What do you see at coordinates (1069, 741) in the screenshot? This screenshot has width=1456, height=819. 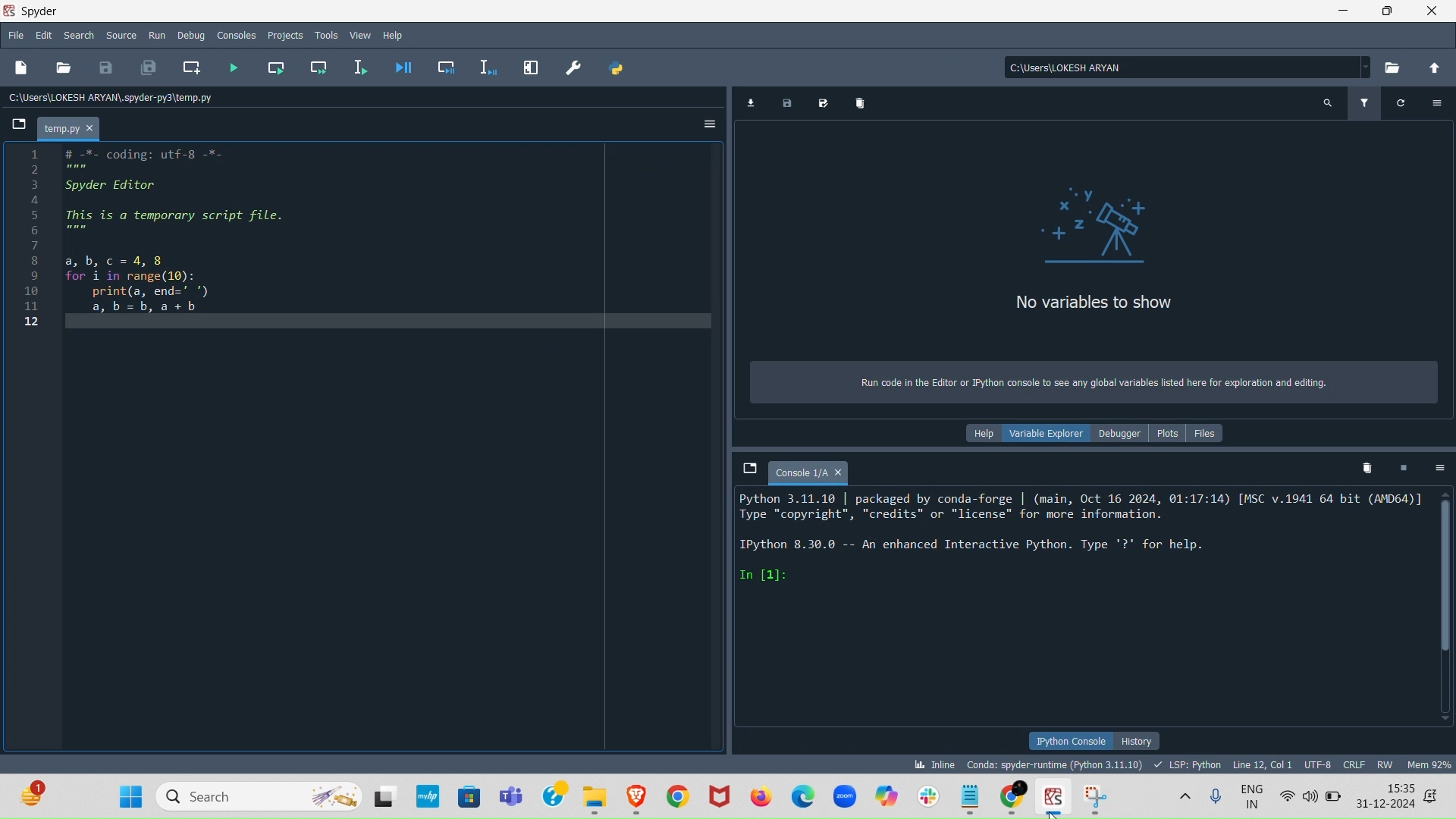 I see `IPython console` at bounding box center [1069, 741].